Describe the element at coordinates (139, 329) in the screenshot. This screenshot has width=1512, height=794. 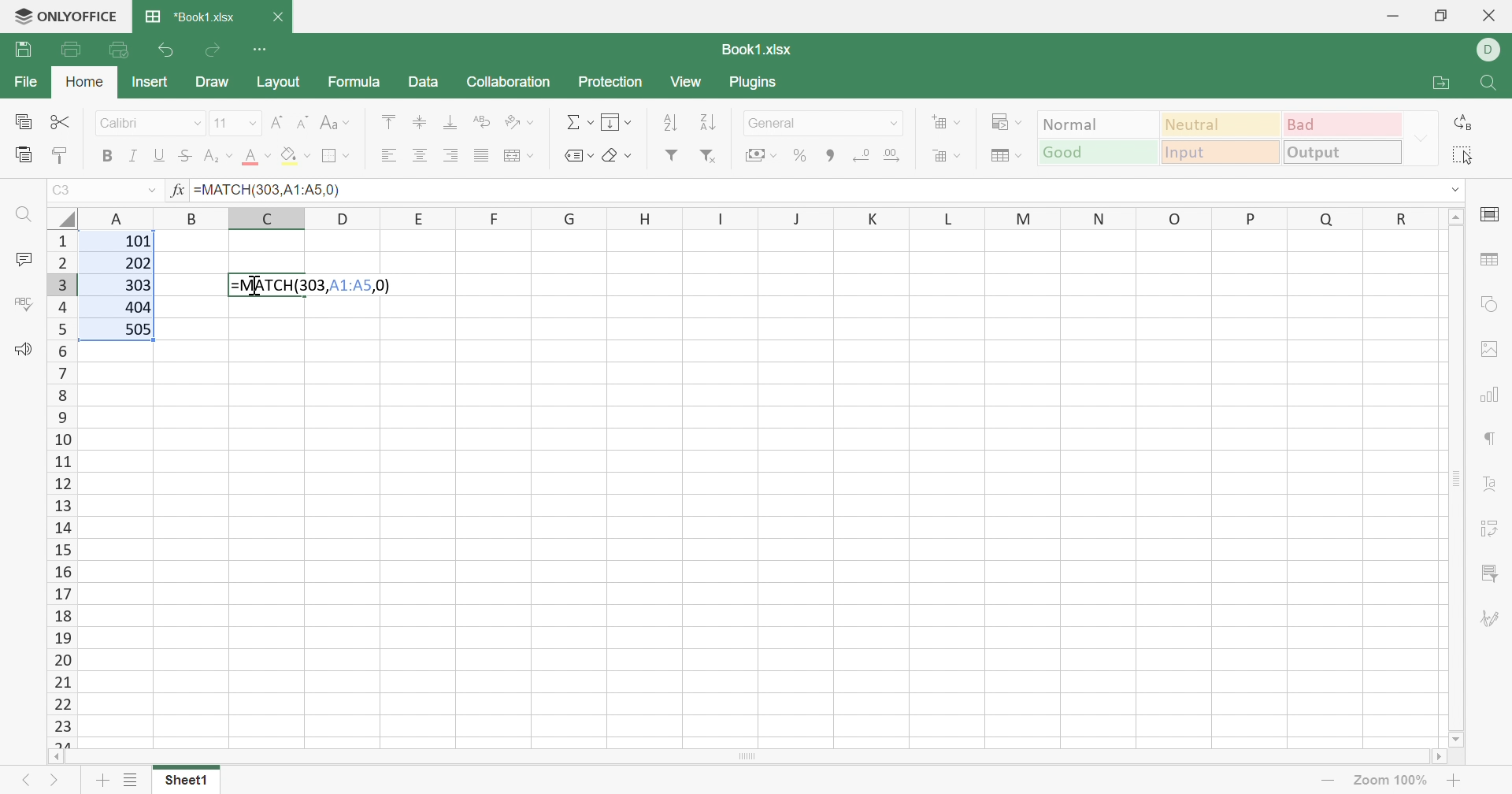
I see `505` at that location.